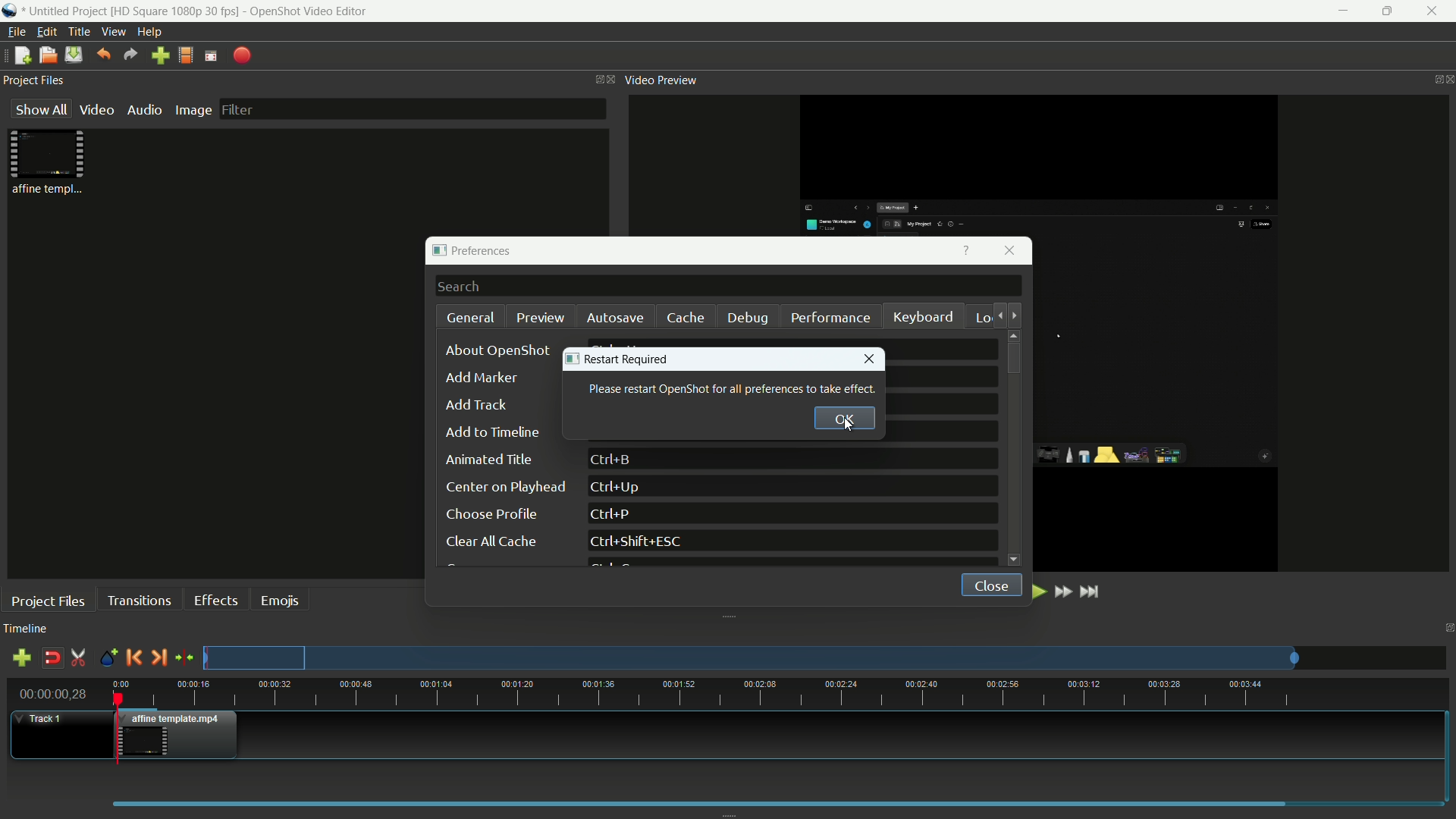 The height and width of the screenshot is (819, 1456). Describe the element at coordinates (131, 55) in the screenshot. I see `redo` at that location.